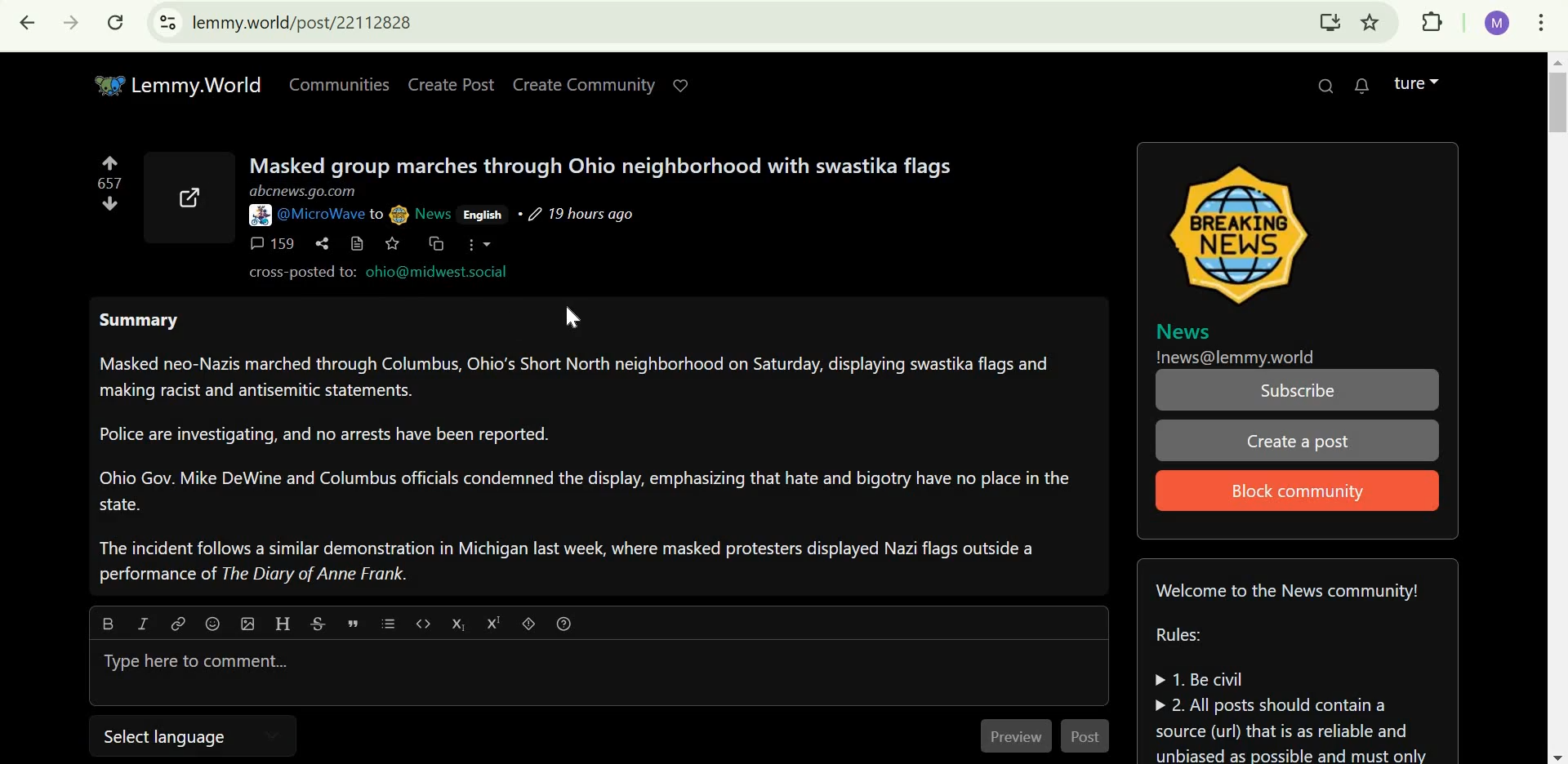  What do you see at coordinates (339, 82) in the screenshot?
I see `Communities` at bounding box center [339, 82].